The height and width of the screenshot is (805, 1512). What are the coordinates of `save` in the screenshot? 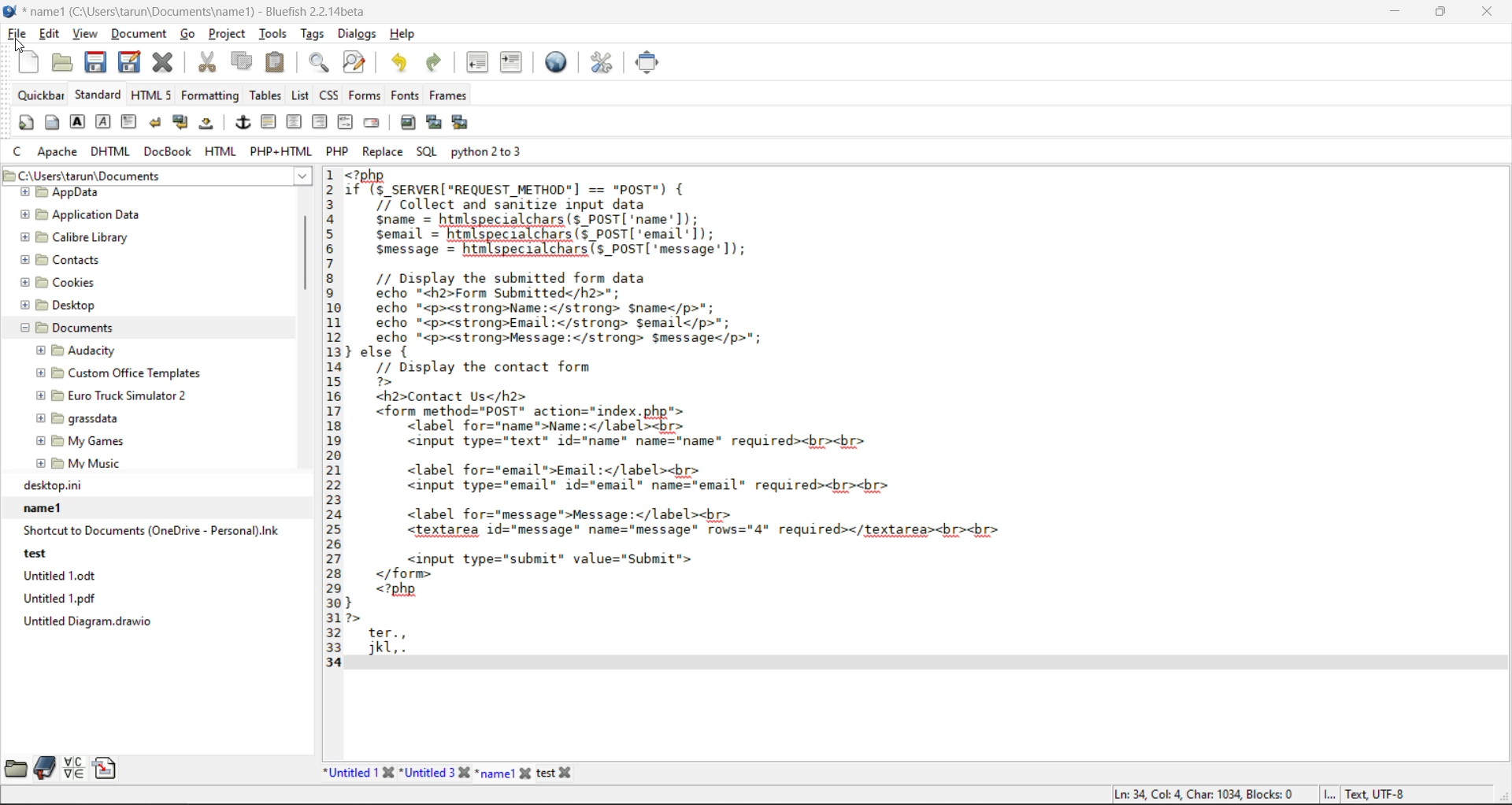 It's located at (97, 63).